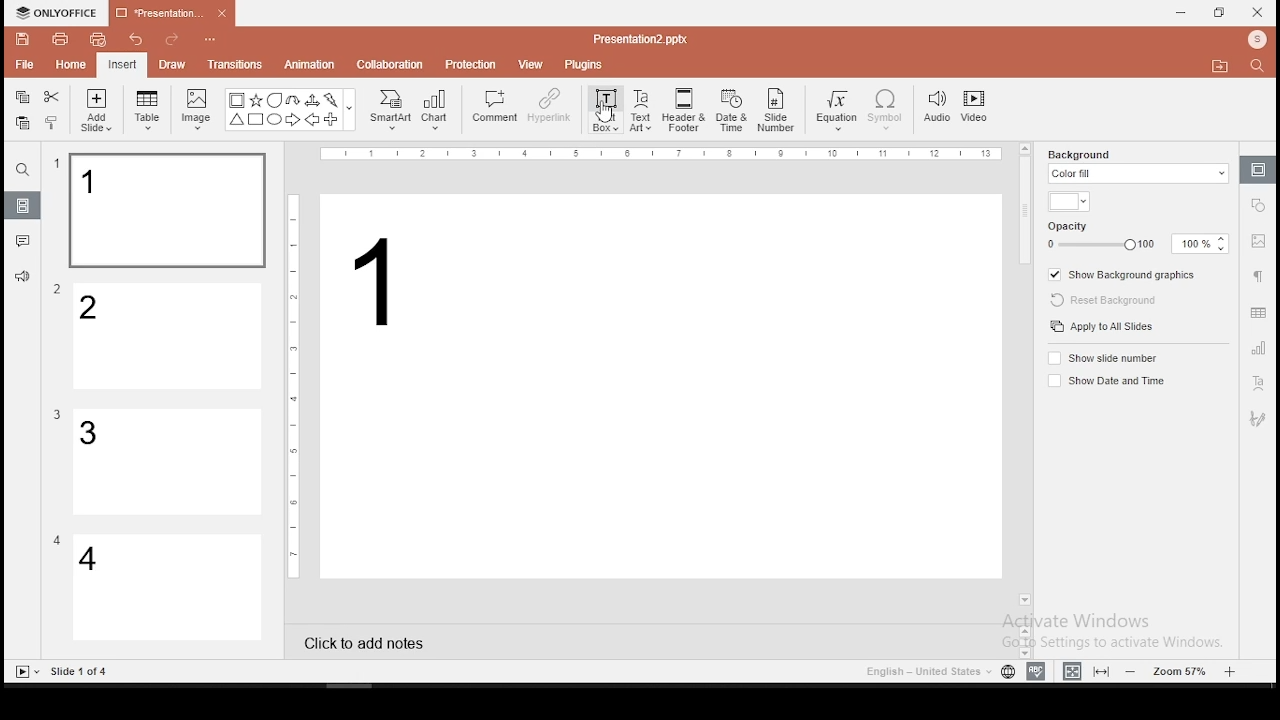  I want to click on presentation, so click(169, 15).